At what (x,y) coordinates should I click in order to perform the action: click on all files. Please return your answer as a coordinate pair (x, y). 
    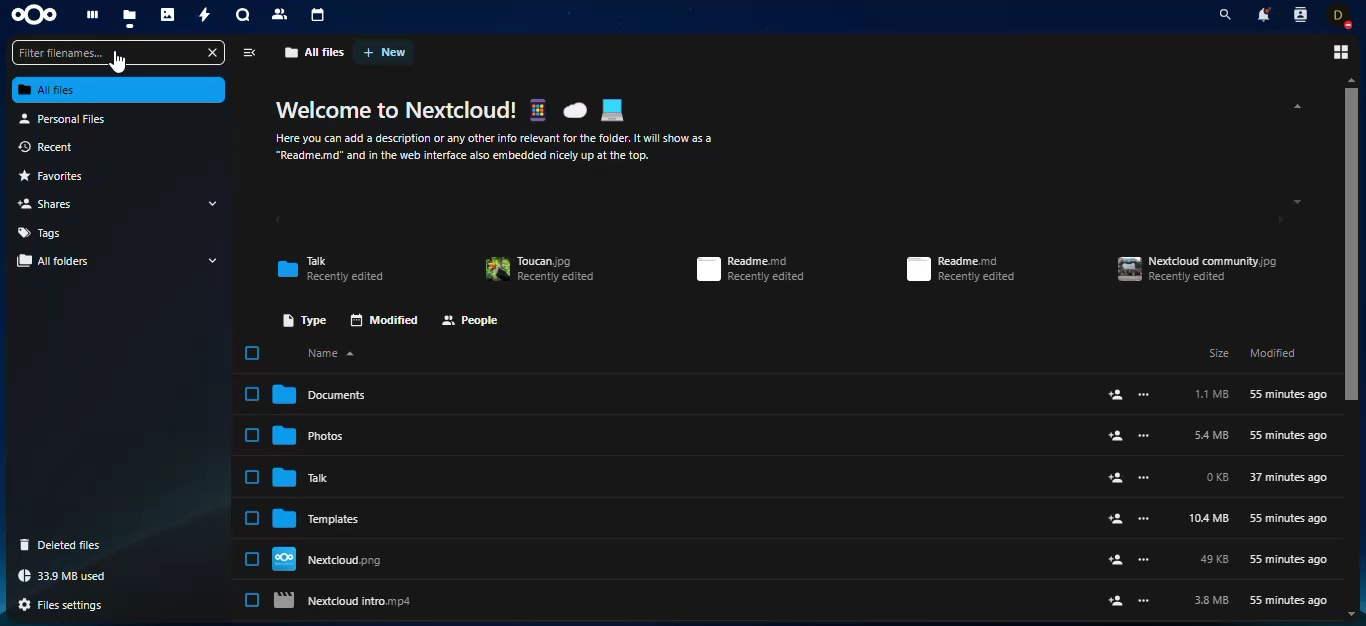
    Looking at the image, I should click on (120, 90).